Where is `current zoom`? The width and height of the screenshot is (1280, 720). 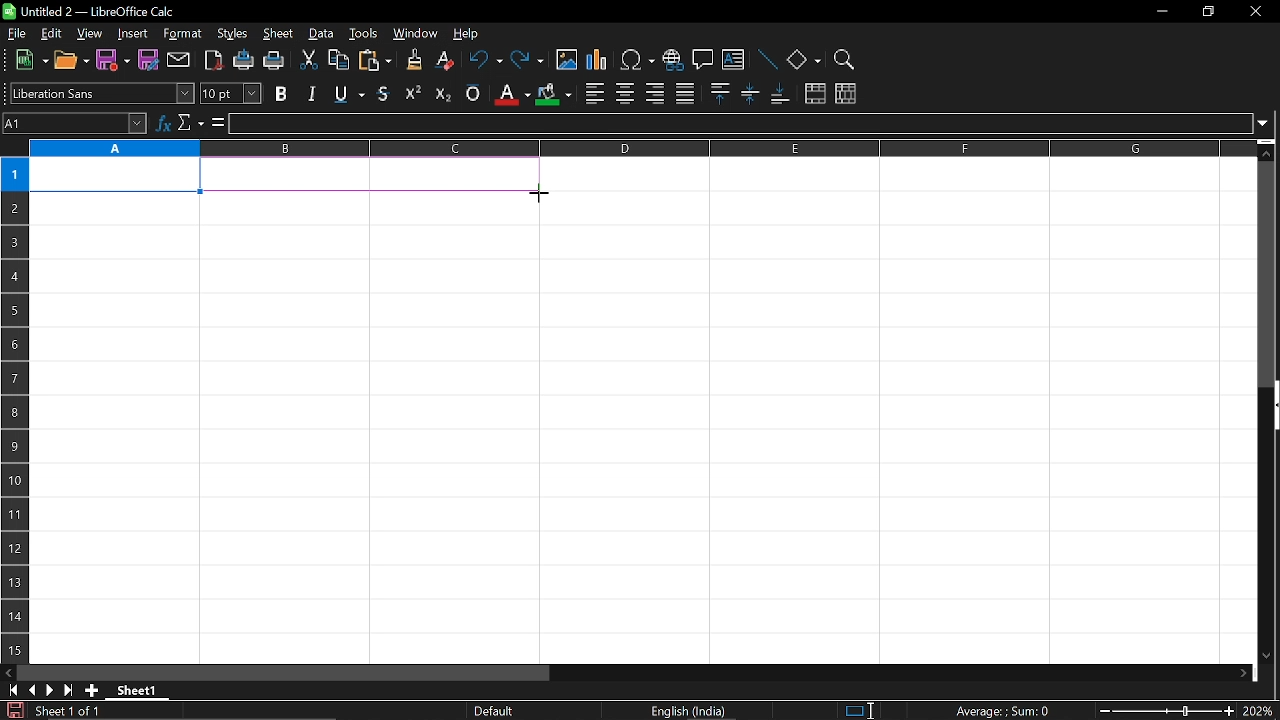 current zoom is located at coordinates (1260, 712).